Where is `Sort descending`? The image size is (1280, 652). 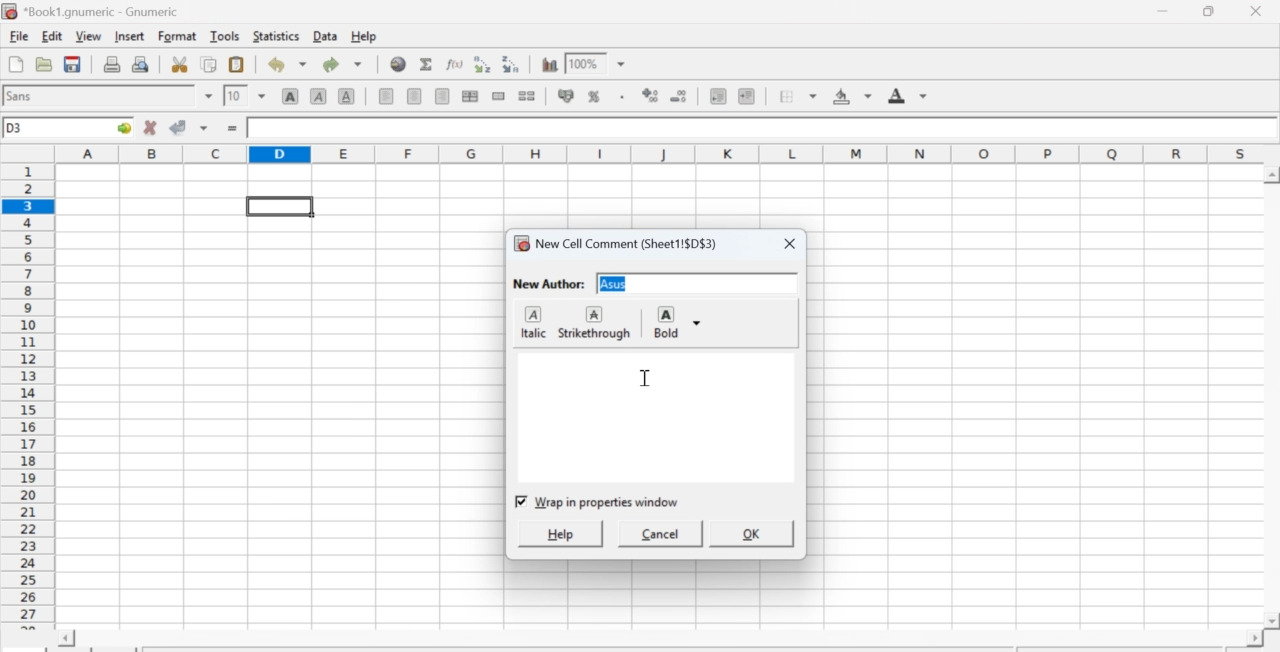 Sort descending is located at coordinates (512, 66).